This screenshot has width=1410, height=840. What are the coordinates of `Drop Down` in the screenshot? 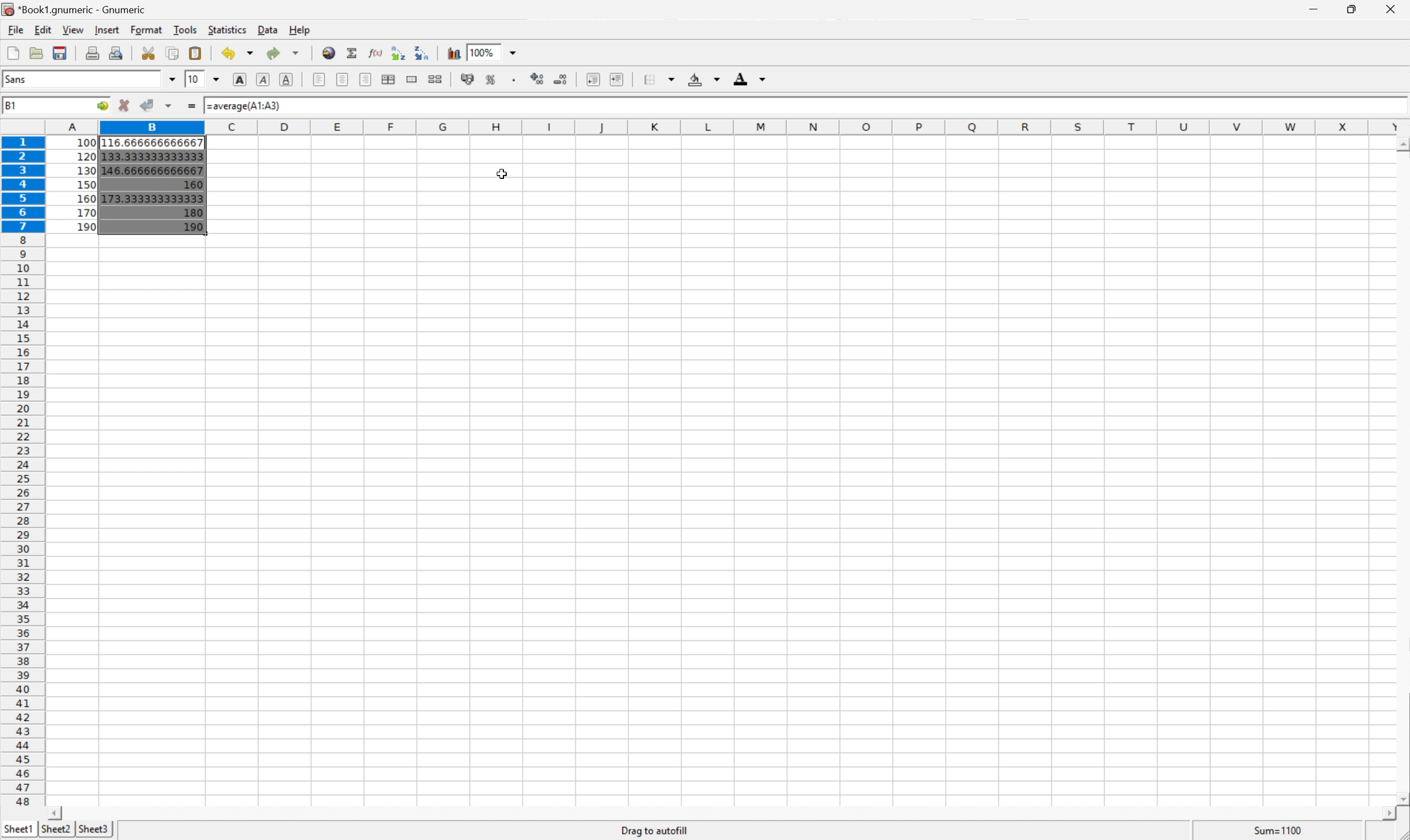 It's located at (511, 51).